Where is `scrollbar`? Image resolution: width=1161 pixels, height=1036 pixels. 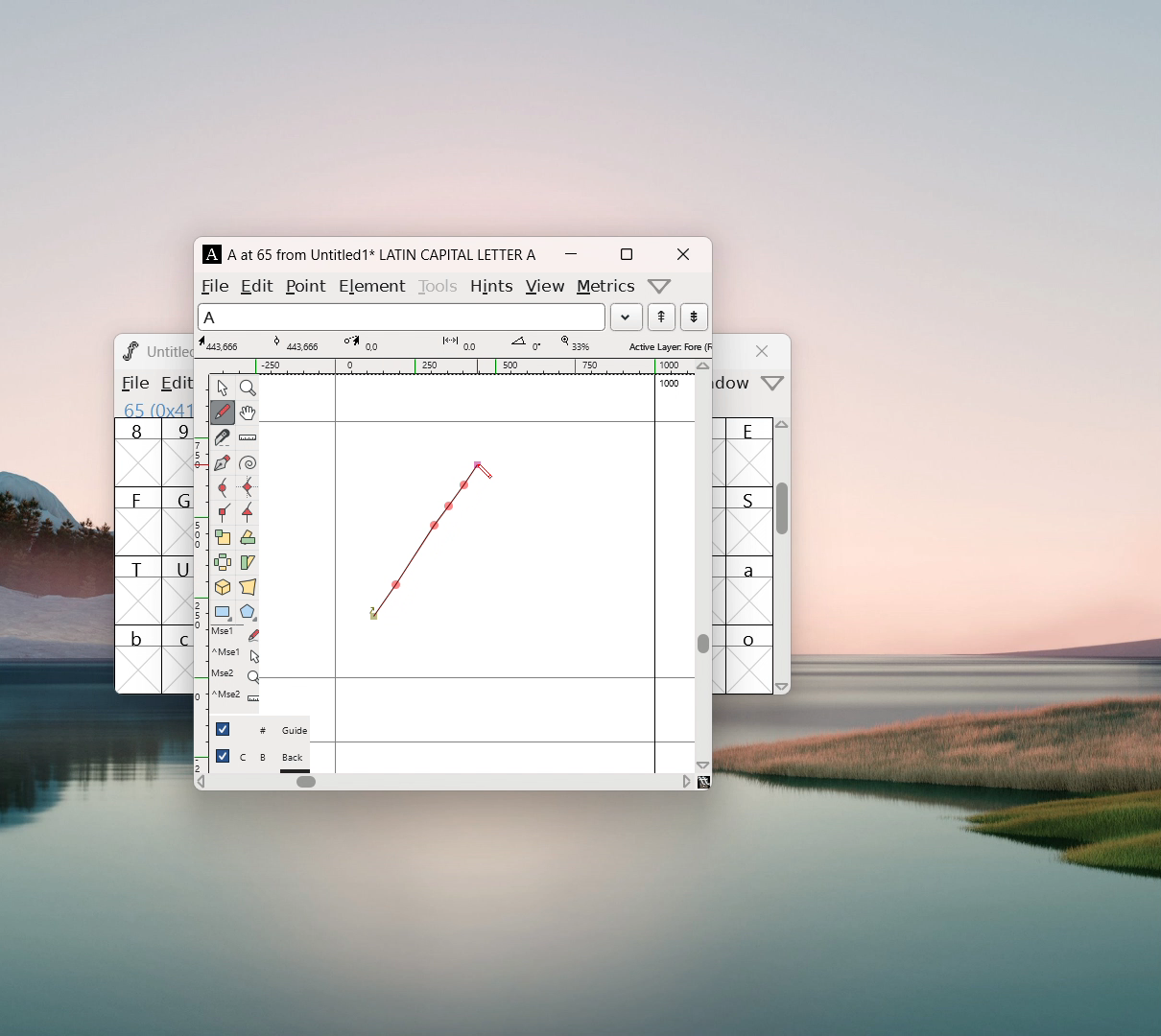 scrollbar is located at coordinates (783, 518).